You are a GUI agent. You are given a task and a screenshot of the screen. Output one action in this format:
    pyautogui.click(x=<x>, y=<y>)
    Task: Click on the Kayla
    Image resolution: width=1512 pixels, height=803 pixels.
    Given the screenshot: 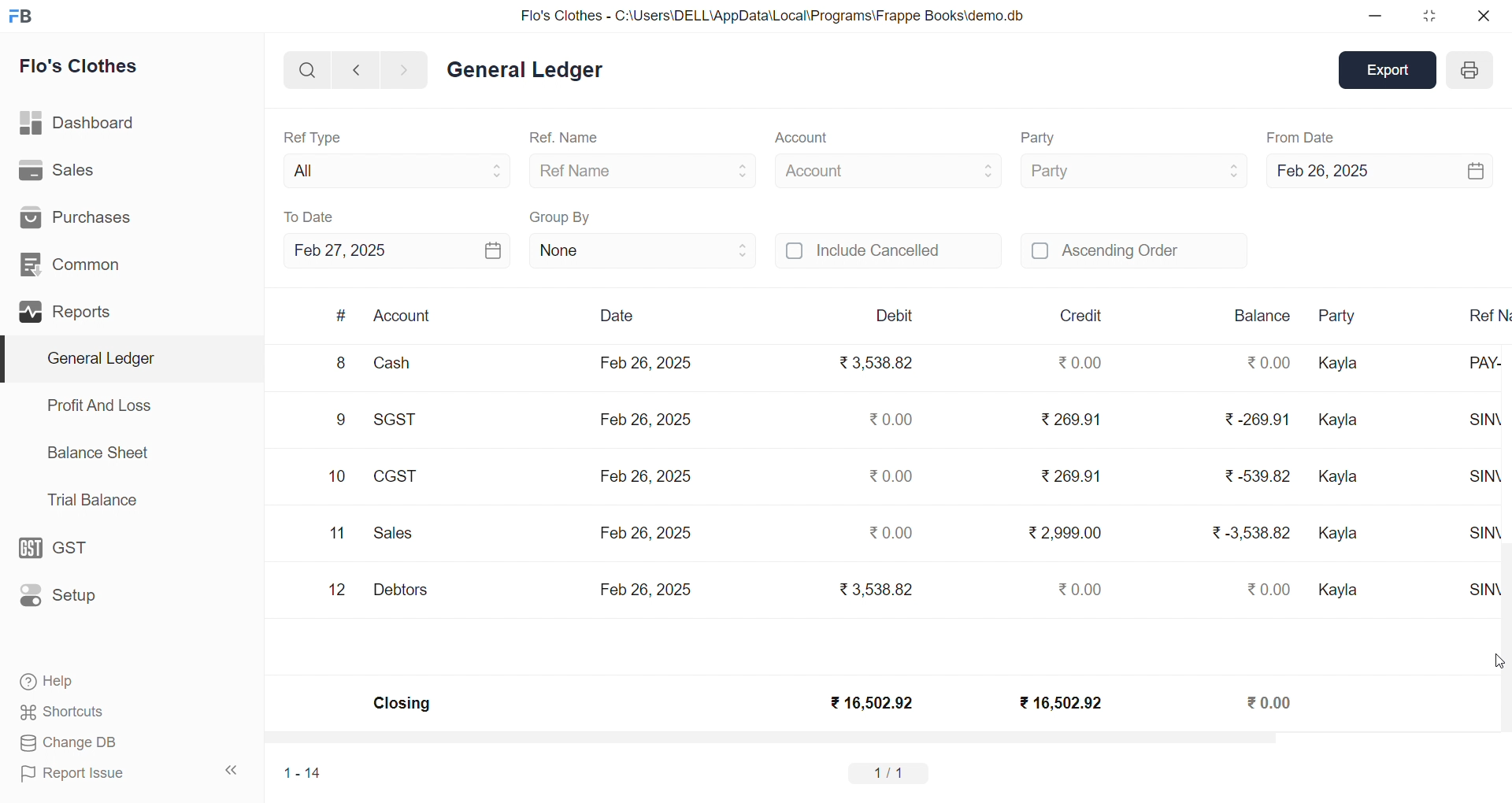 What is the action you would take?
    pyautogui.click(x=1341, y=591)
    